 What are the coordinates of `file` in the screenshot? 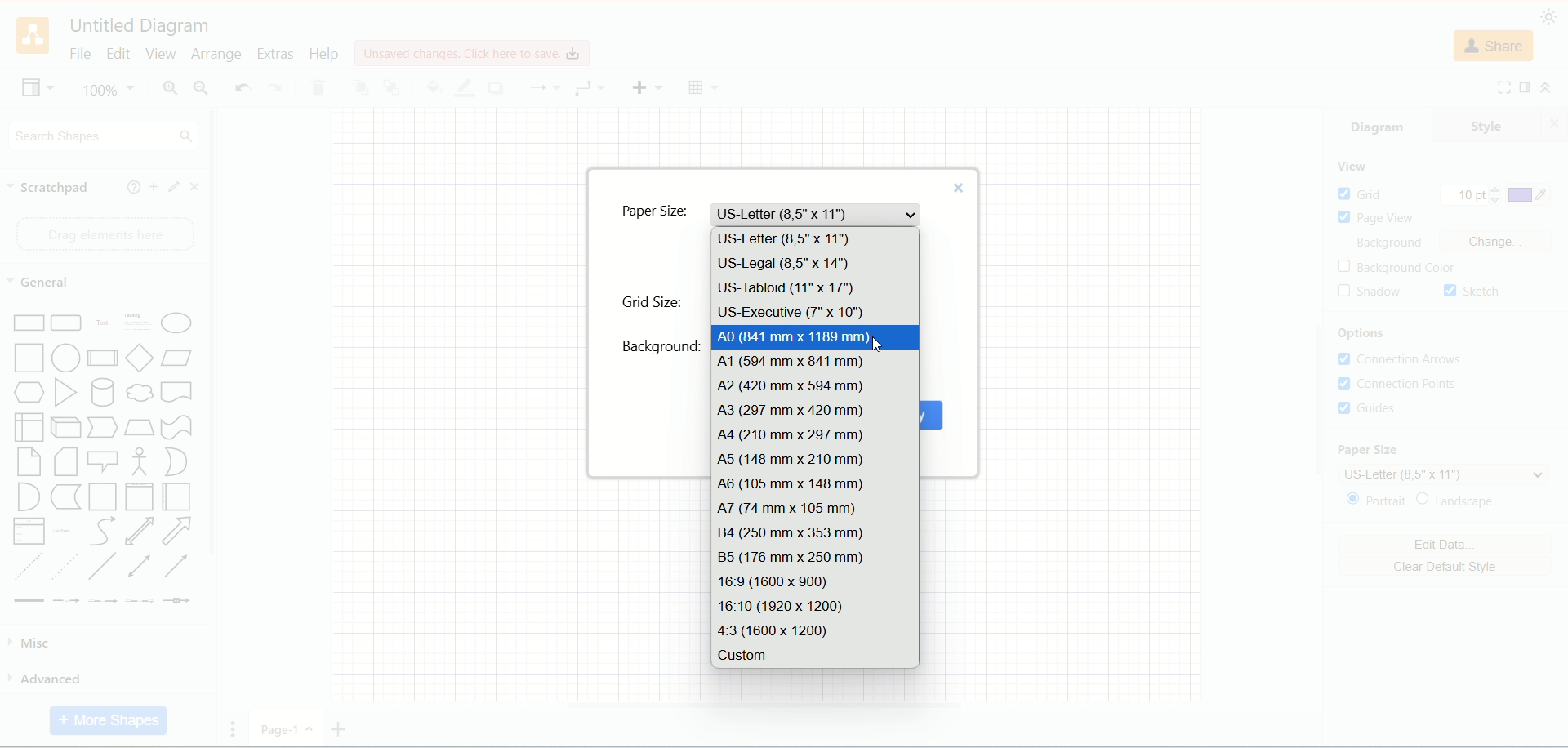 It's located at (79, 54).